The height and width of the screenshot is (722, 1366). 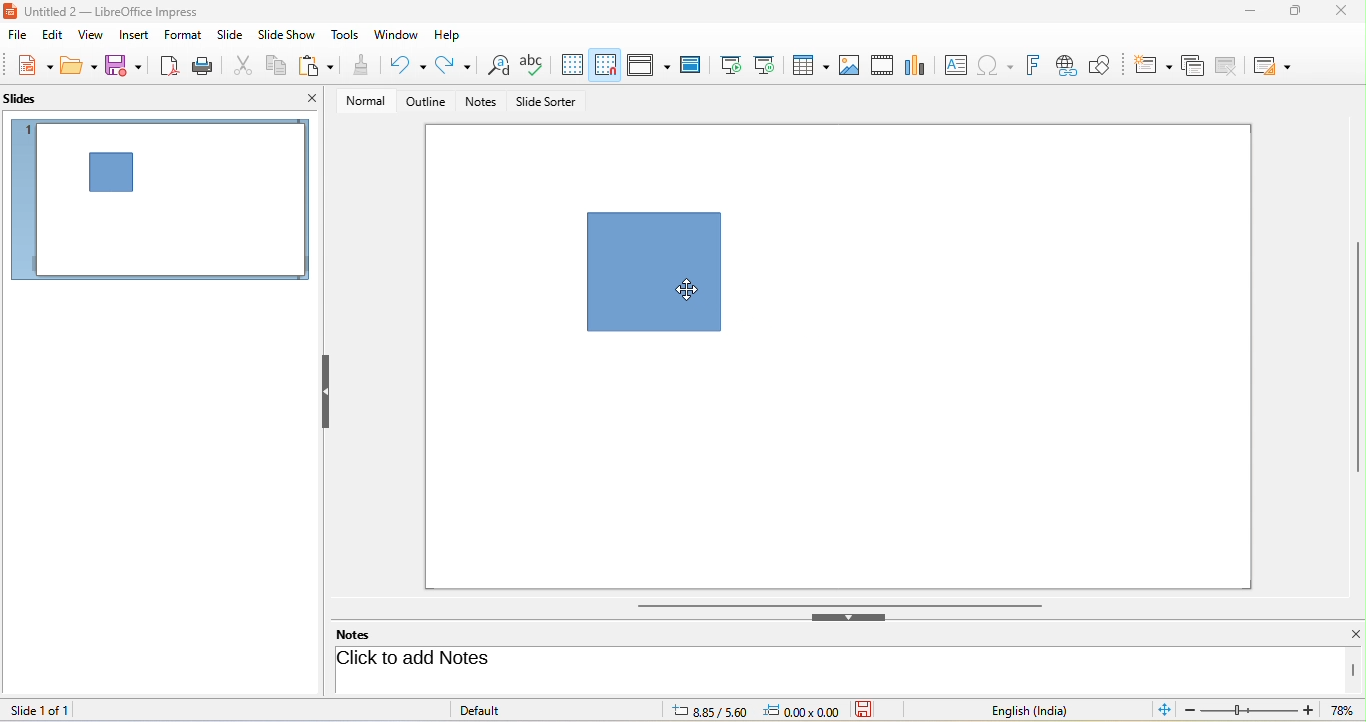 I want to click on slide 1 of 1, so click(x=47, y=709).